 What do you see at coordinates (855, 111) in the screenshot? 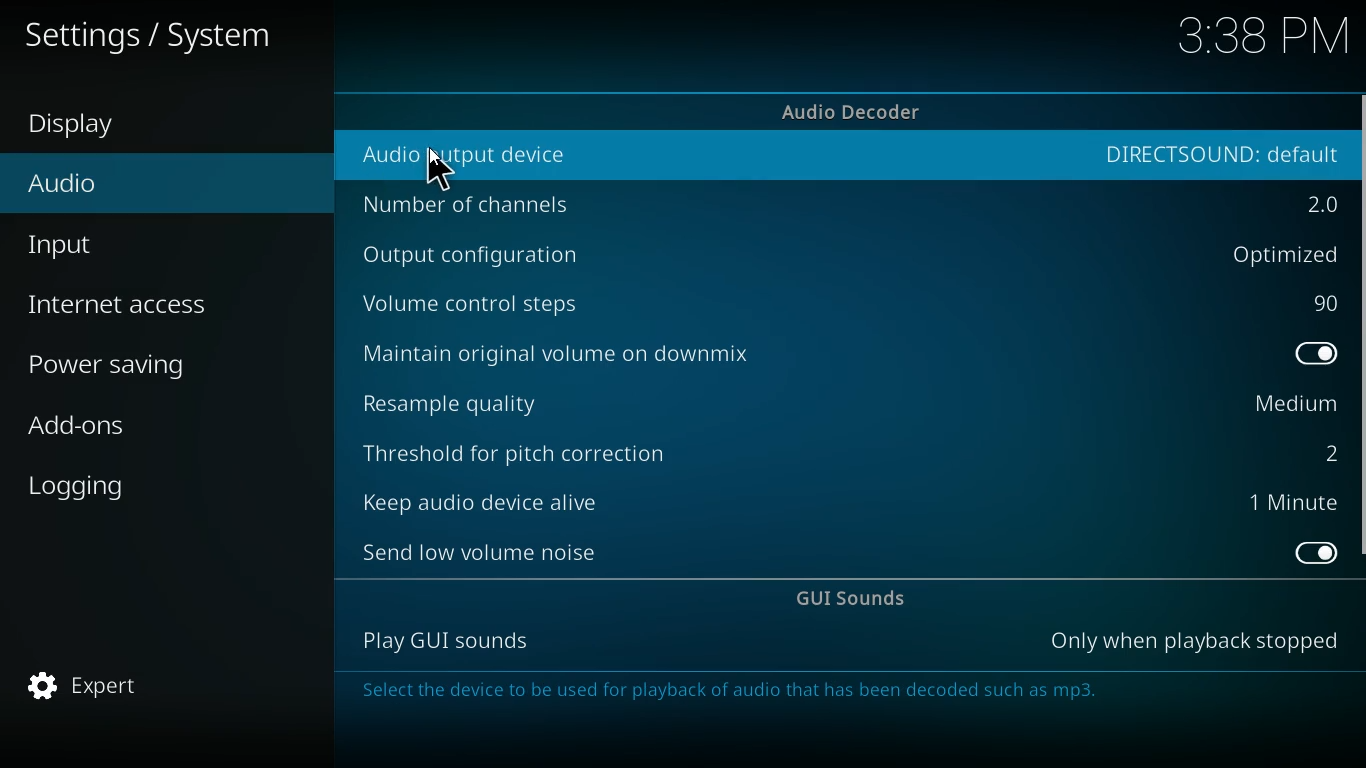
I see `audio decoder` at bounding box center [855, 111].